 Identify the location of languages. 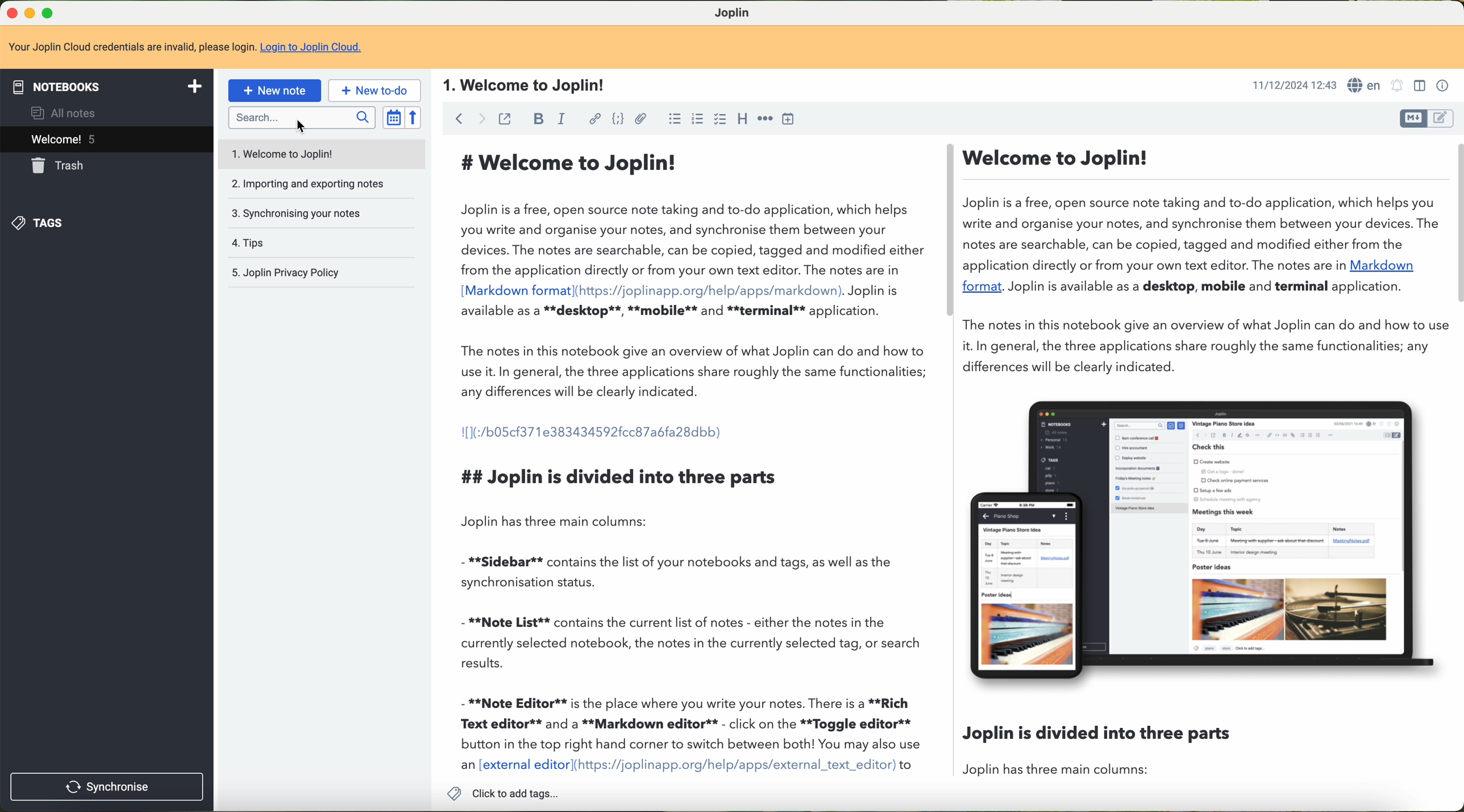
(1365, 86).